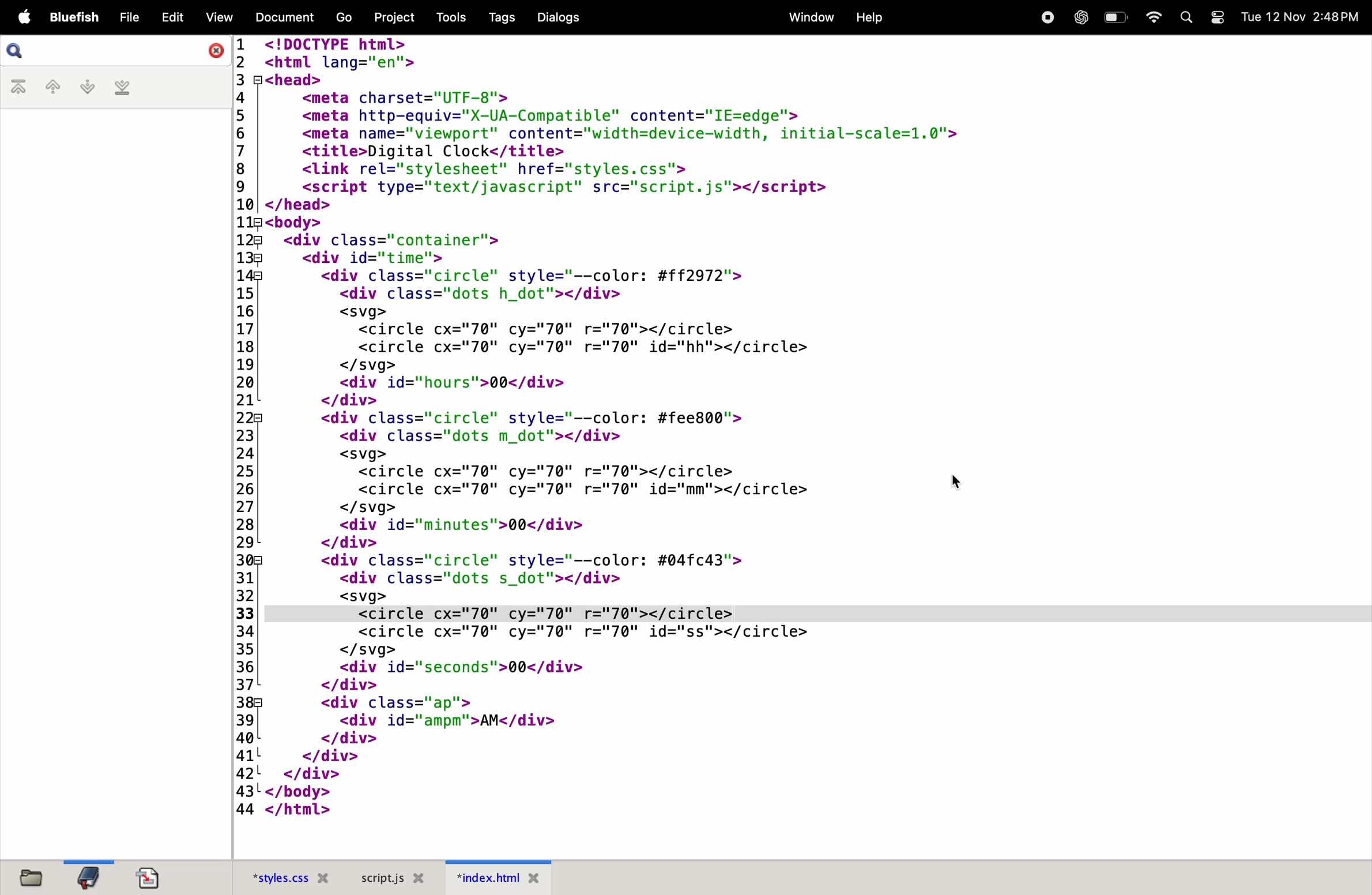  Describe the element at coordinates (794, 429) in the screenshot. I see `<!DOCTYPE html><html lang="en"><head><meta charset="UTF-8"><meta http-equiv="X-UA-Compatible" content="IE=edge"><meta name="viewport" content="width=device-width, initial-scale=1.0"><title>Digital Clock</title><link rel="stylesheet" href="styles.css"><script type="text/javascript" src="script.js"></script></head><body><div class="container"><div id="time"><div class="circle" style="--color: #ff2972"><div class="dots h_dot"></div><svg><circle cx="70" cy="70" r="70"></circle><circle cx="70" cy="70" r="70" id="hh"></circle></svg><div id="hours">00</div></div><div class="circle" style="--color: #fee800"><div class="dots m_dot"></div><svg><circle cx="70" cy="70" r="70"></circle><circle cx="70" cy="70" r="70" id="mm"></circle></svg><div id="minutes">00</div></div><div class="circle" style="--color: #04fc43"><div class="dots s_dot"></div><svg><circle cx="70" cy="70" r="70"></circle><circle cx="70" cy="70" r="70" id="ss"></circle></svg><div id="seconds">00</div></div><div class="ap"><div id="ampm">AM</div></div></div></div></body></html>` at that location.